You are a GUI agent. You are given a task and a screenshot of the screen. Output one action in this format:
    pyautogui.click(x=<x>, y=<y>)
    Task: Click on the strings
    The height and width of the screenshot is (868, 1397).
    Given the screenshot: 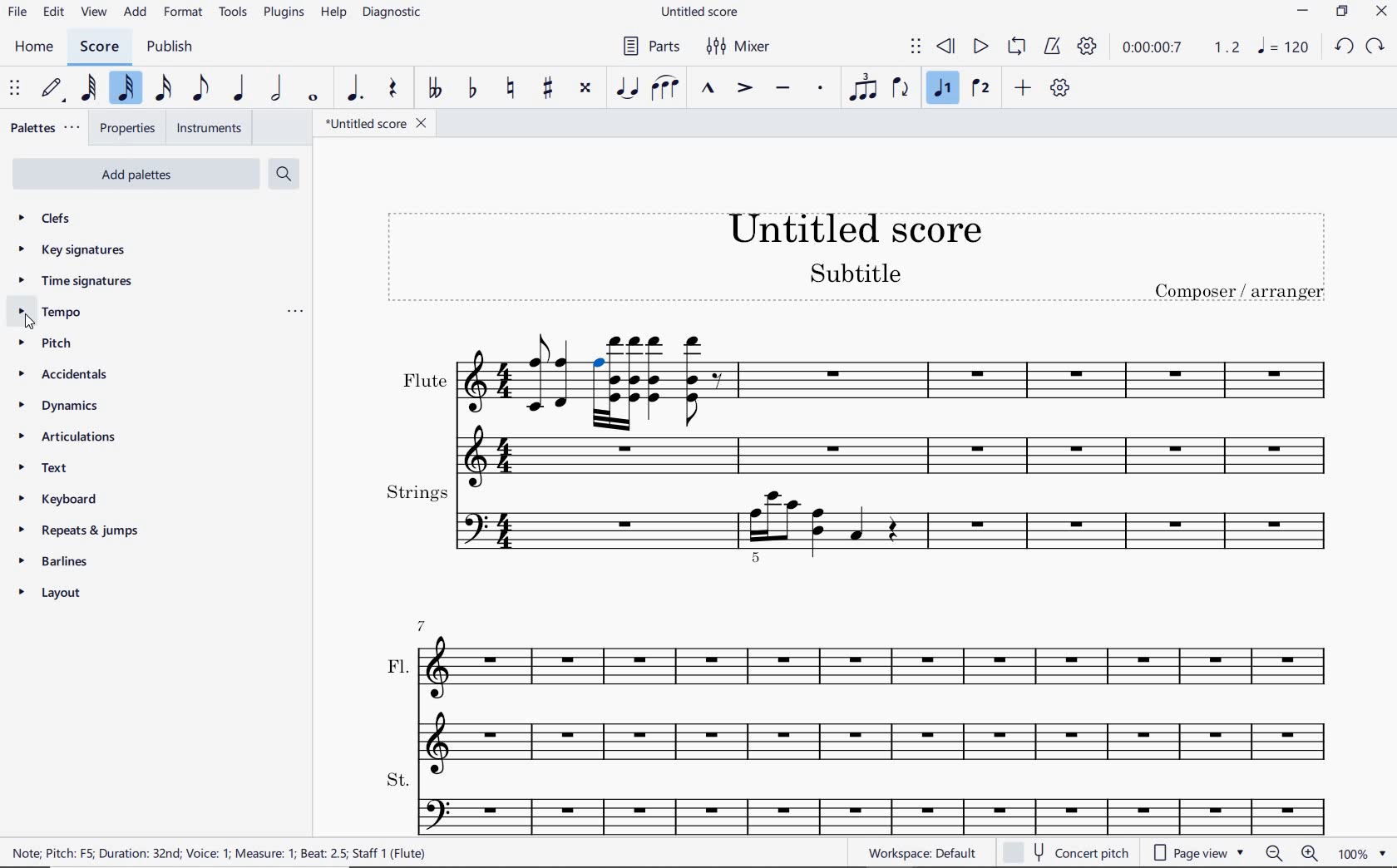 What is the action you would take?
    pyautogui.click(x=872, y=526)
    